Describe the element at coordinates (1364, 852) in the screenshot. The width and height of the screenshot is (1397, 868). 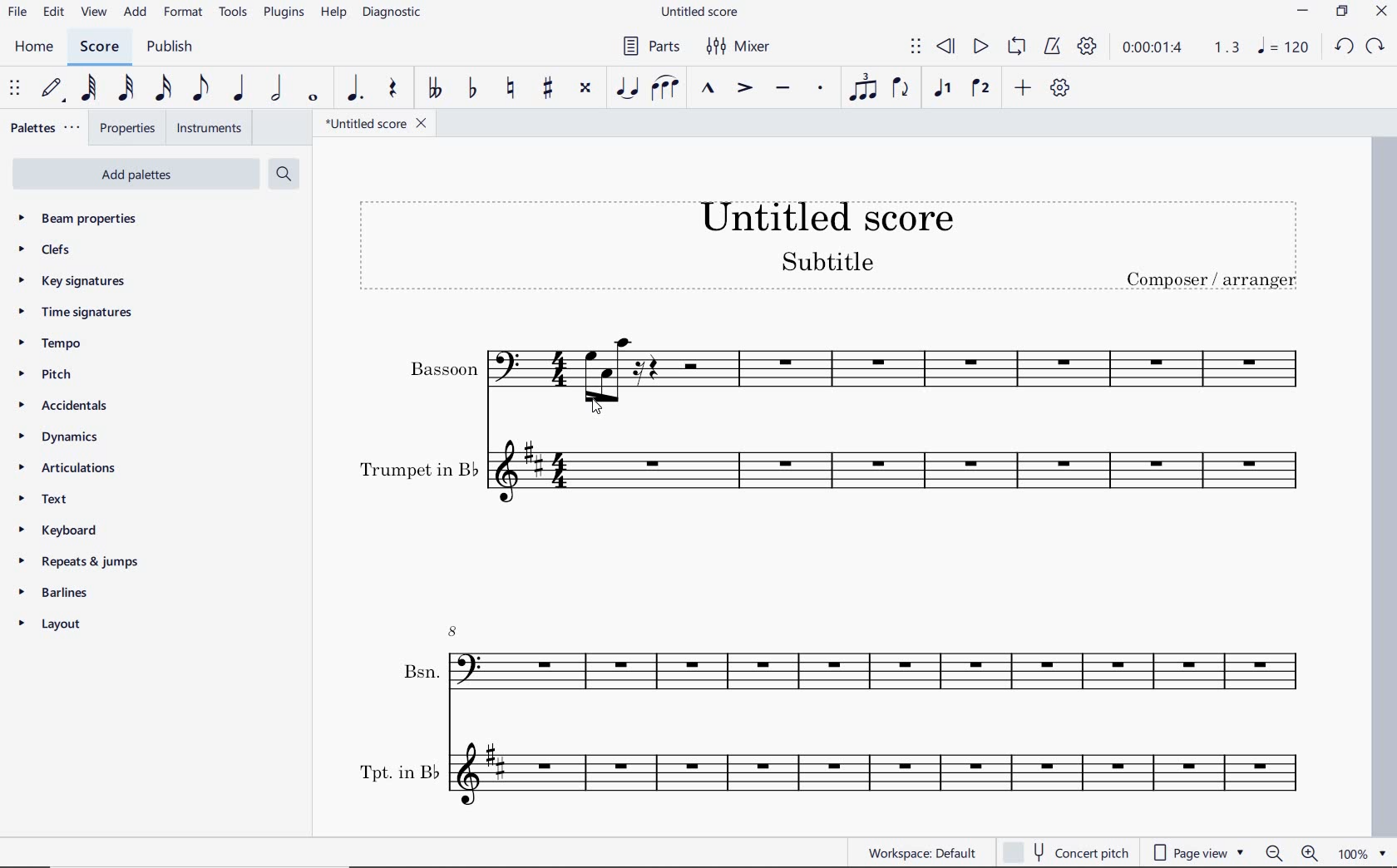
I see `zoom factor` at that location.